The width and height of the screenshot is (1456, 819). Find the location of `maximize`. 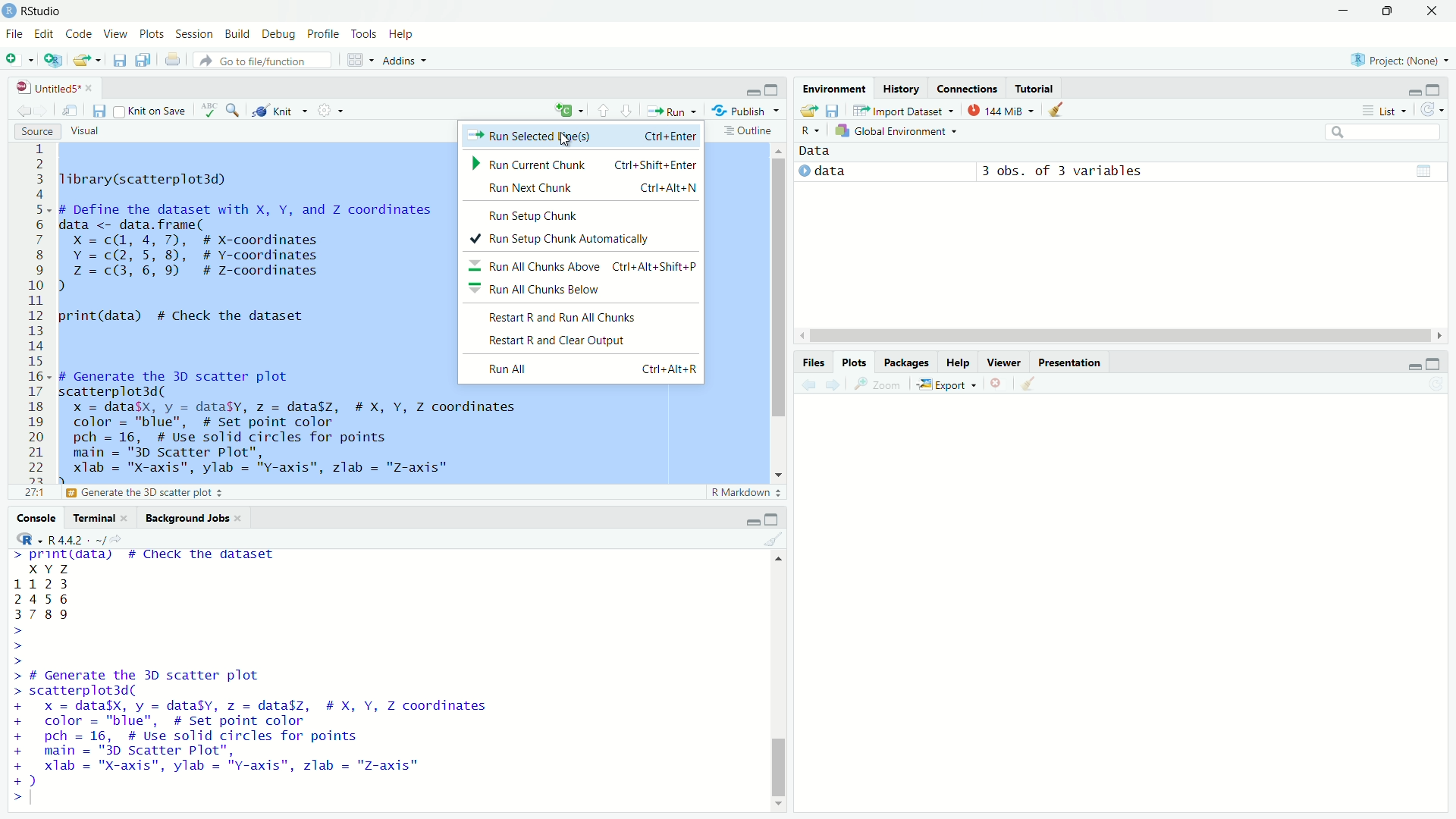

maximize is located at coordinates (773, 518).